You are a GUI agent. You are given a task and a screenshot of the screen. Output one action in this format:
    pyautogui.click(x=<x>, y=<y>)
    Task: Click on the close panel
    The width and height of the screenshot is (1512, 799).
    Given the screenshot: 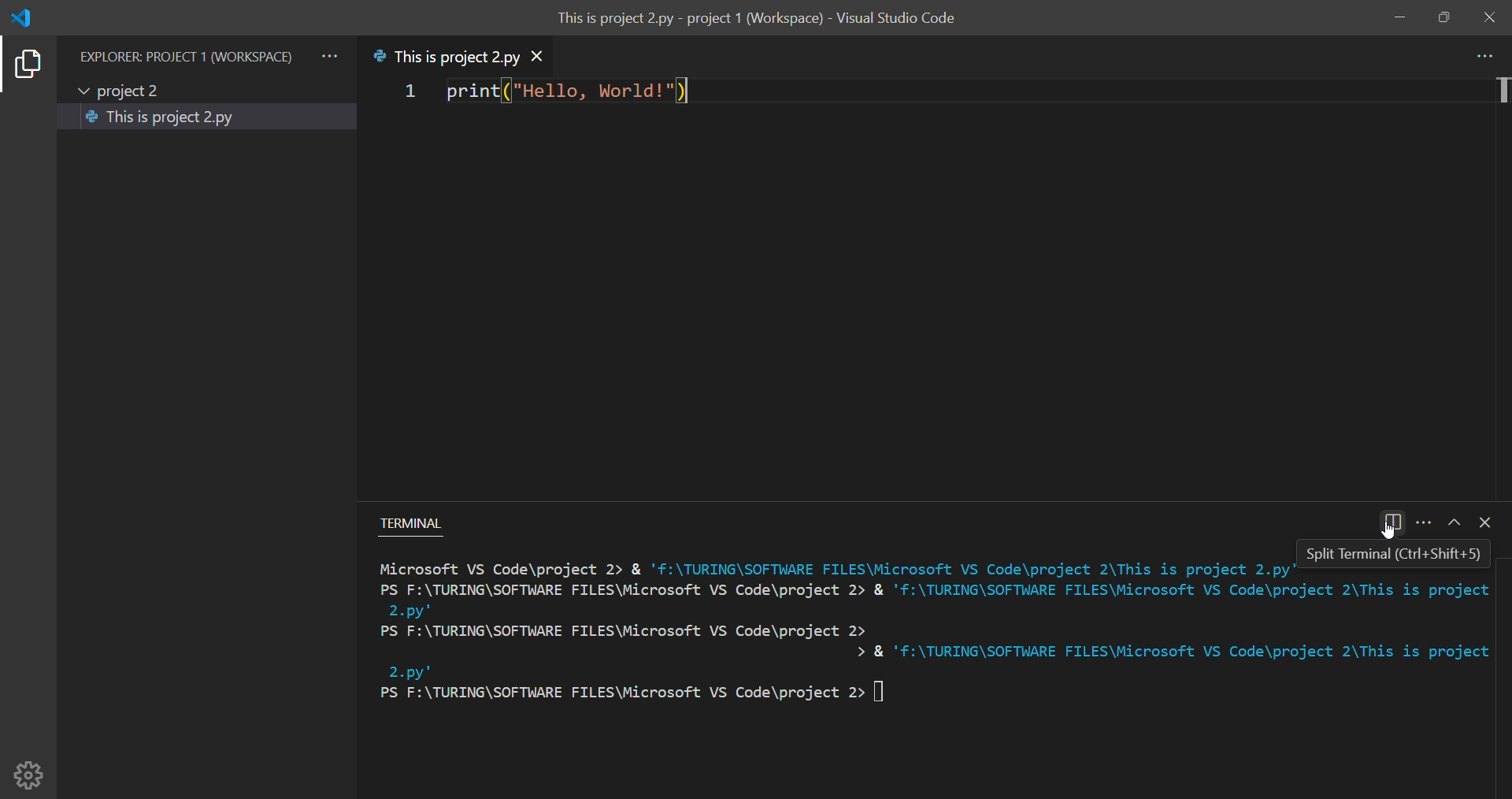 What is the action you would take?
    pyautogui.click(x=1488, y=524)
    